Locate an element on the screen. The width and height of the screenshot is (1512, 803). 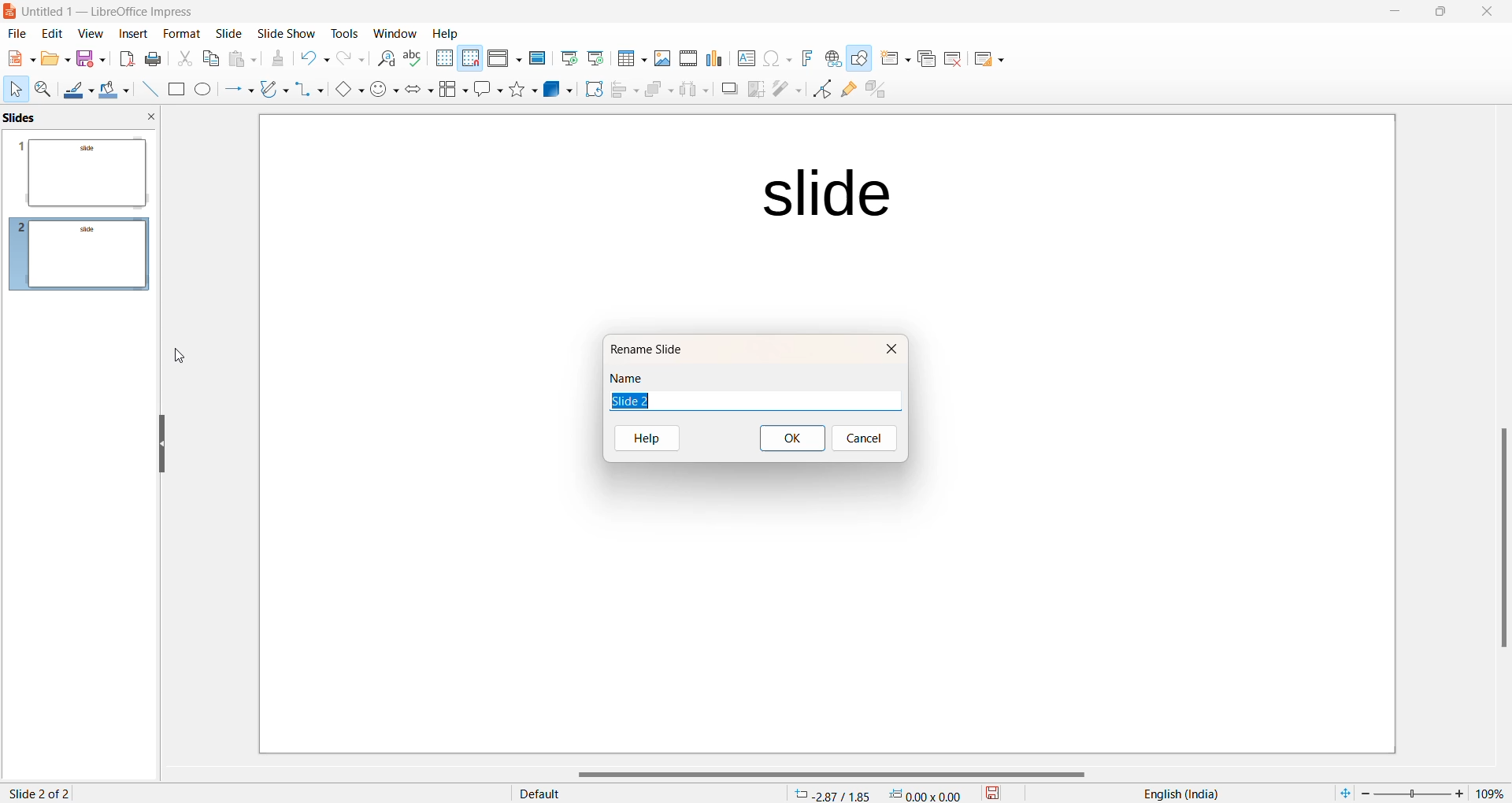
Start from current slide is located at coordinates (595, 60).